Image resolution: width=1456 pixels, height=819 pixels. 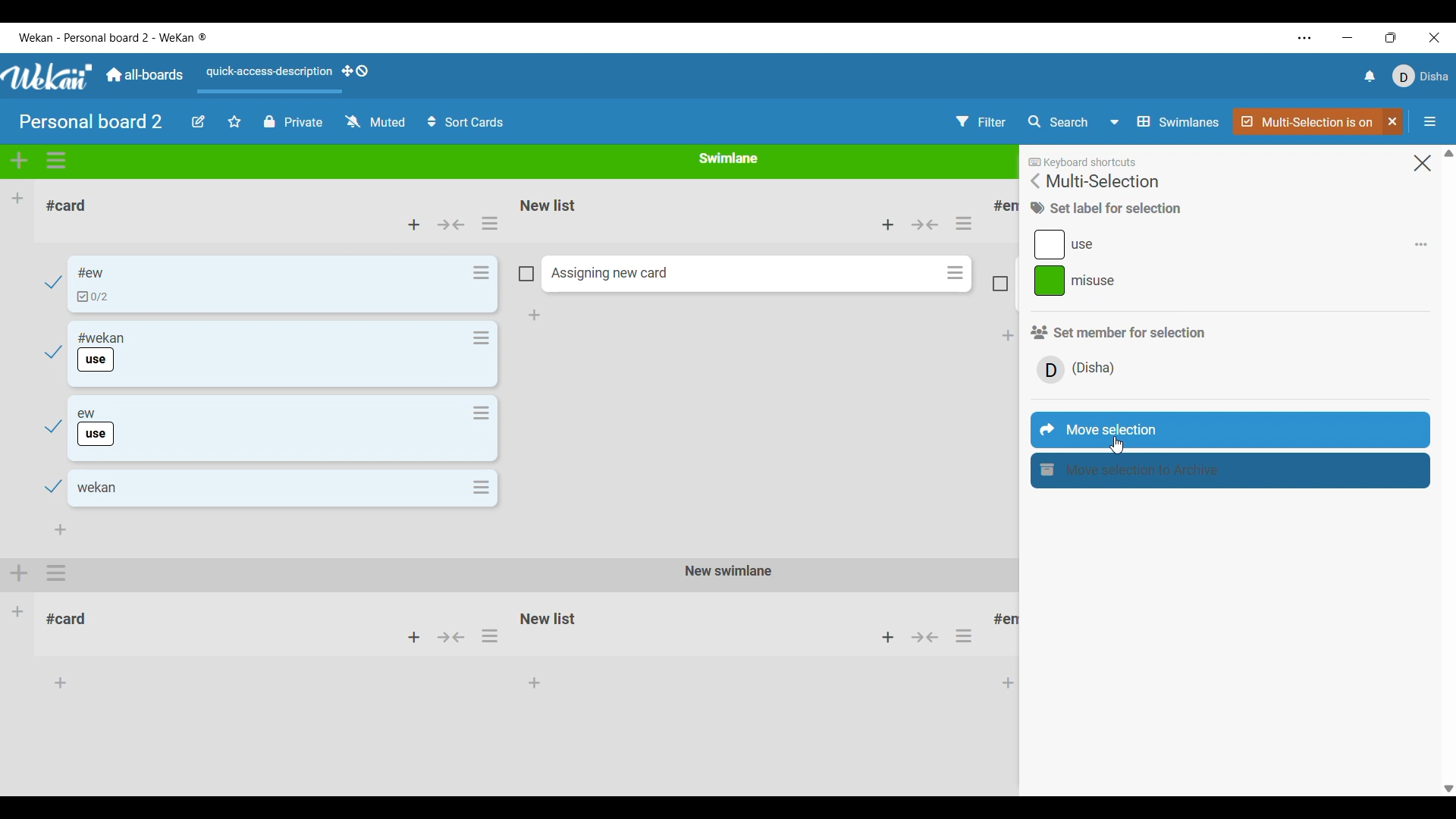 What do you see at coordinates (955, 272) in the screenshot?
I see `Card actions` at bounding box center [955, 272].